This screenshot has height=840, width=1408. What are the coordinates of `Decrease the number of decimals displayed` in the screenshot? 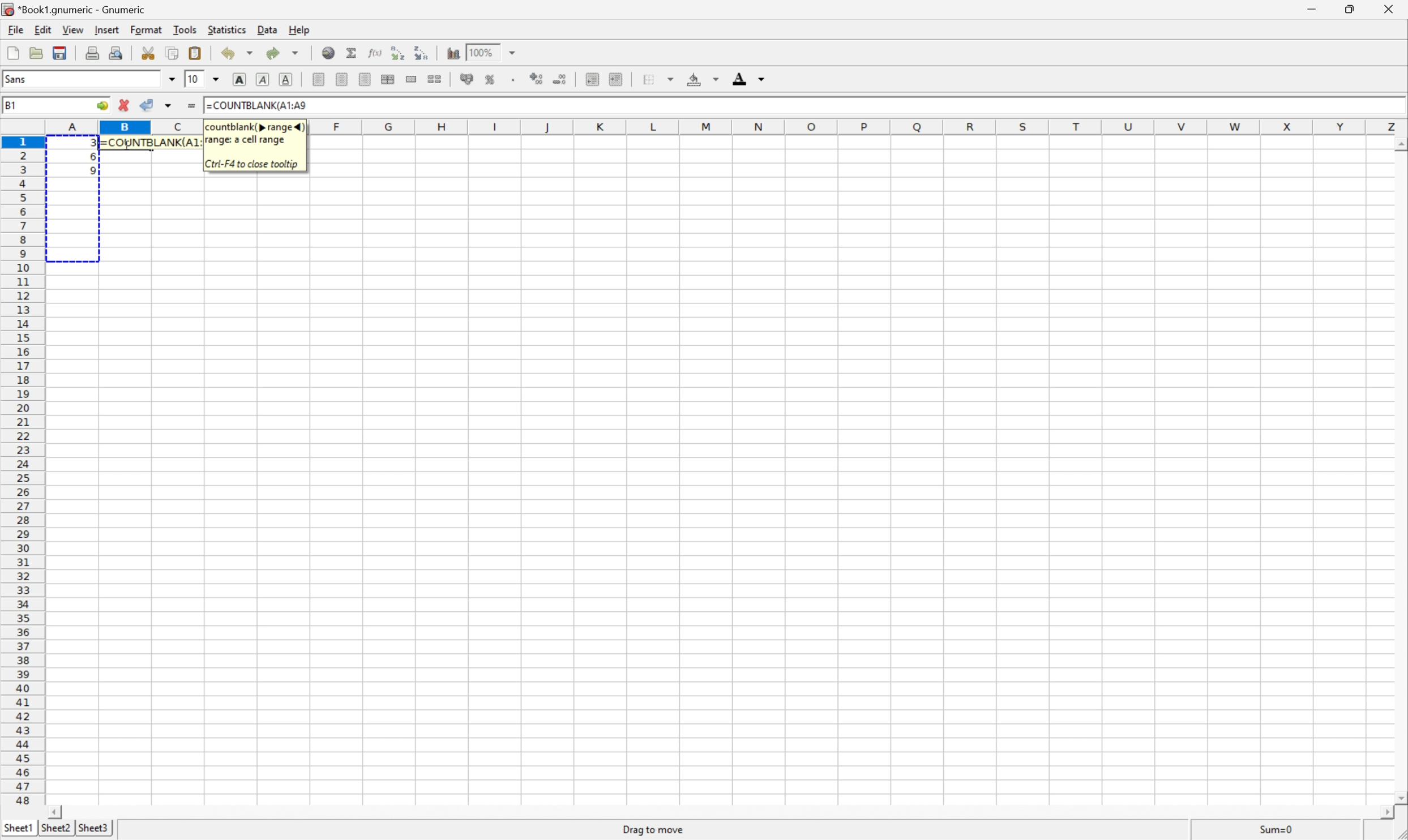 It's located at (560, 79).